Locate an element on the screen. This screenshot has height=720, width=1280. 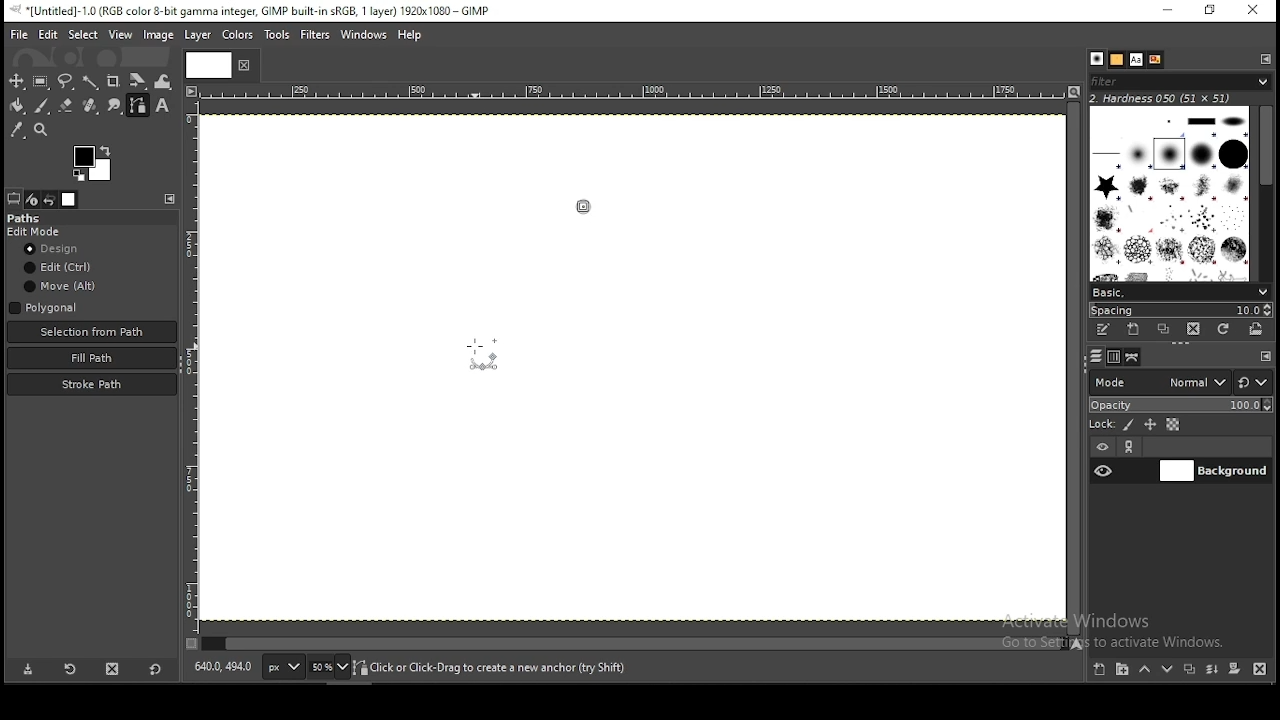
lock is located at coordinates (1102, 423).